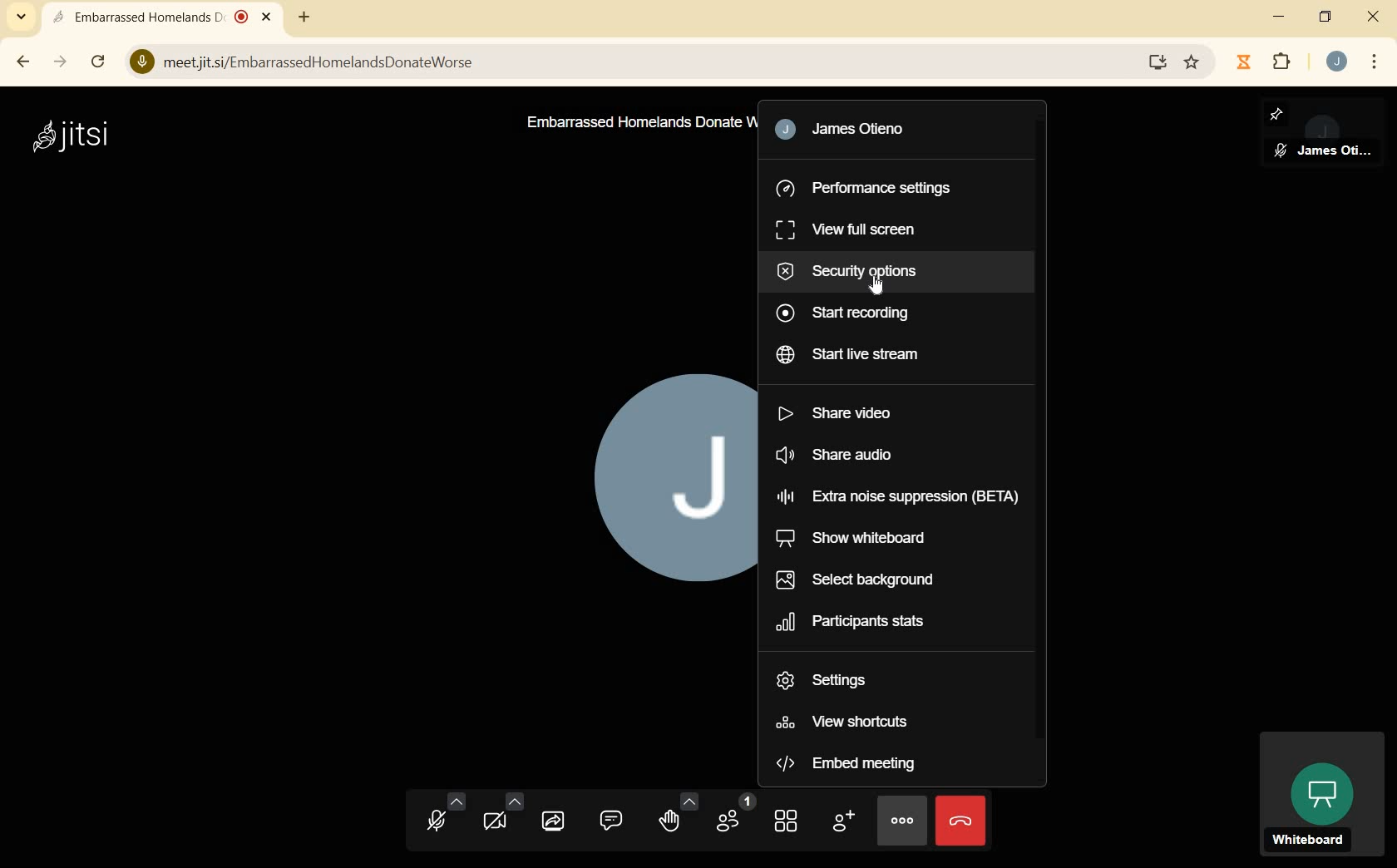 The image size is (1397, 868). I want to click on back, so click(22, 61).